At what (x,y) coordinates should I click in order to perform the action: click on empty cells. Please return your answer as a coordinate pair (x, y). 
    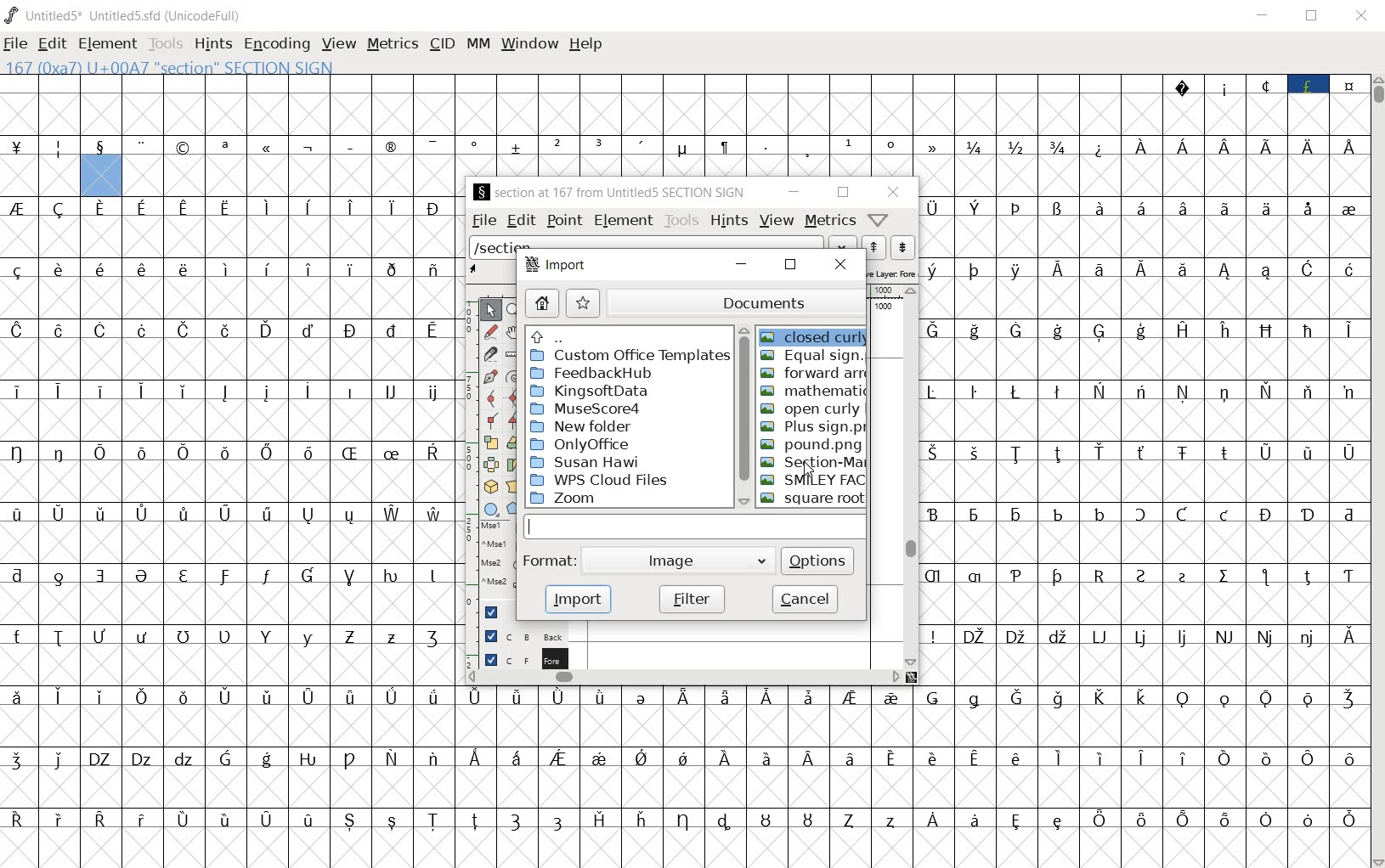
    Looking at the image, I should click on (229, 482).